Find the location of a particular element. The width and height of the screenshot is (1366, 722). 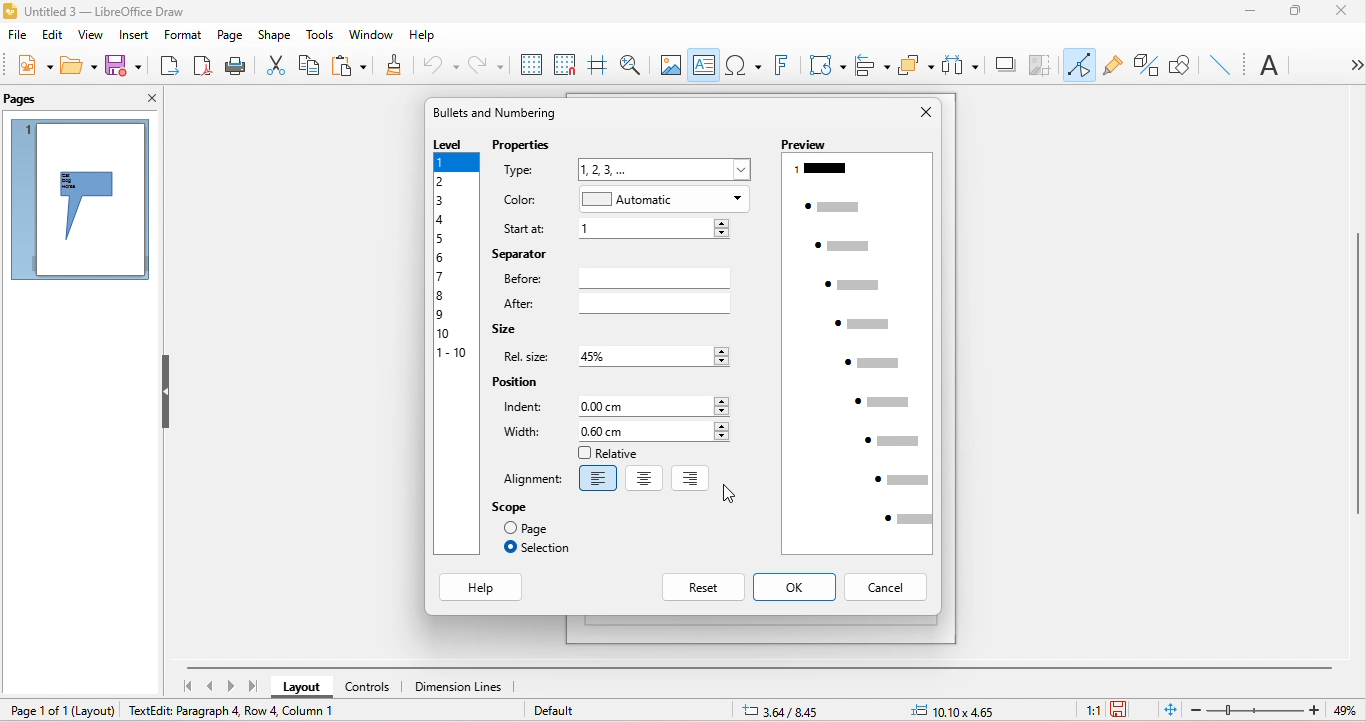

49% is located at coordinates (1347, 711).